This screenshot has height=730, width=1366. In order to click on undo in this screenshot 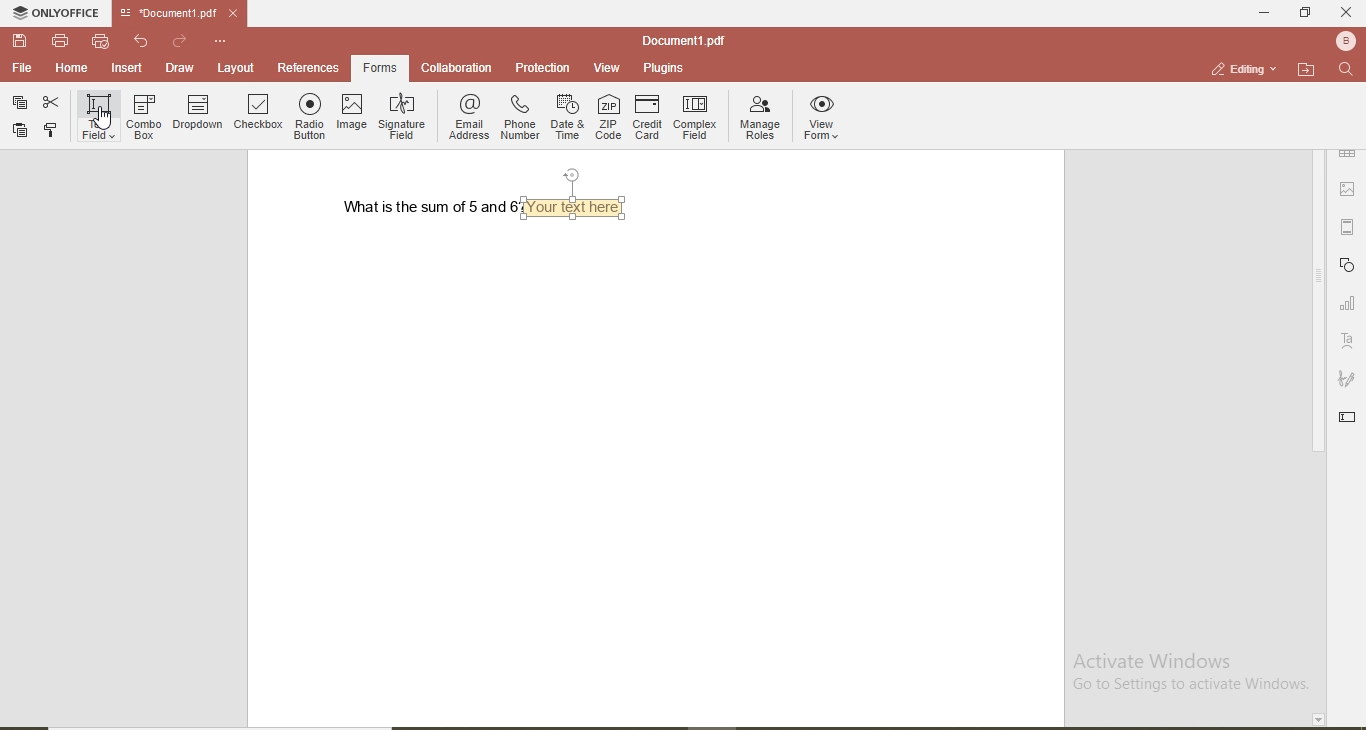, I will do `click(140, 40)`.